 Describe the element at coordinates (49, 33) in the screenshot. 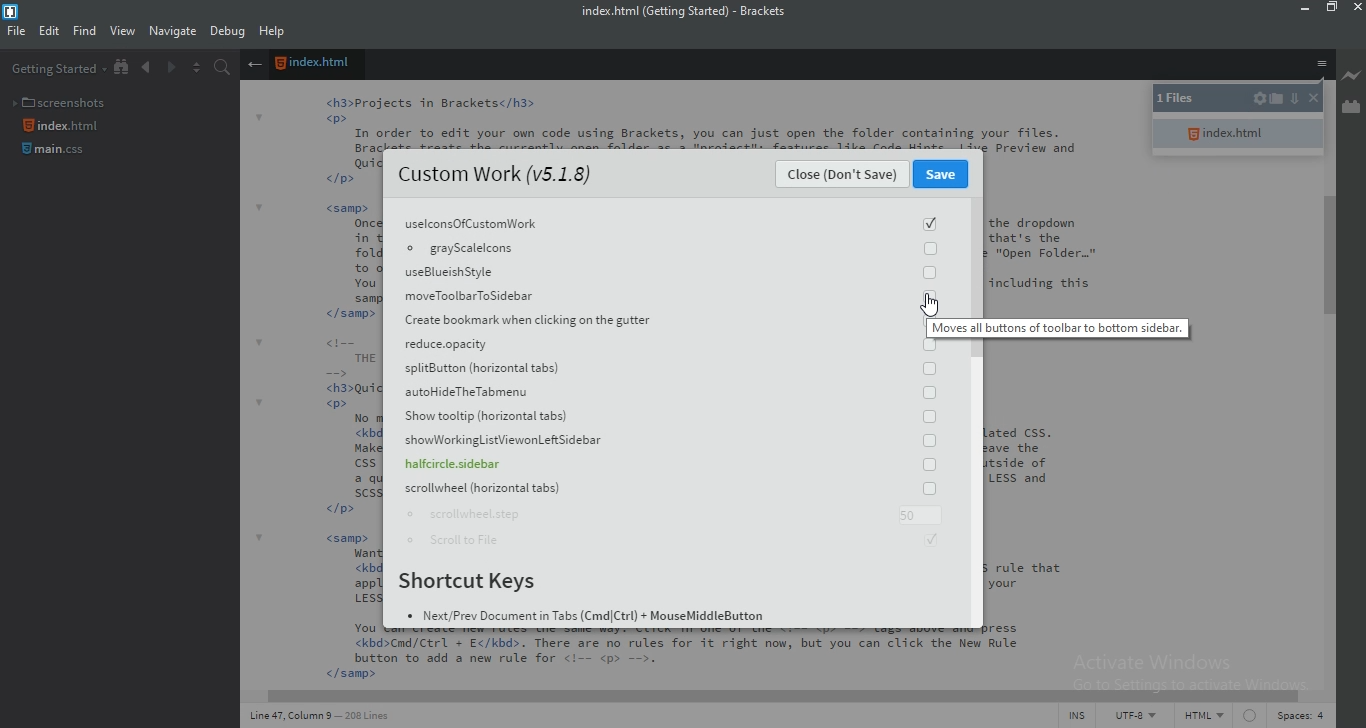

I see `Edit` at that location.